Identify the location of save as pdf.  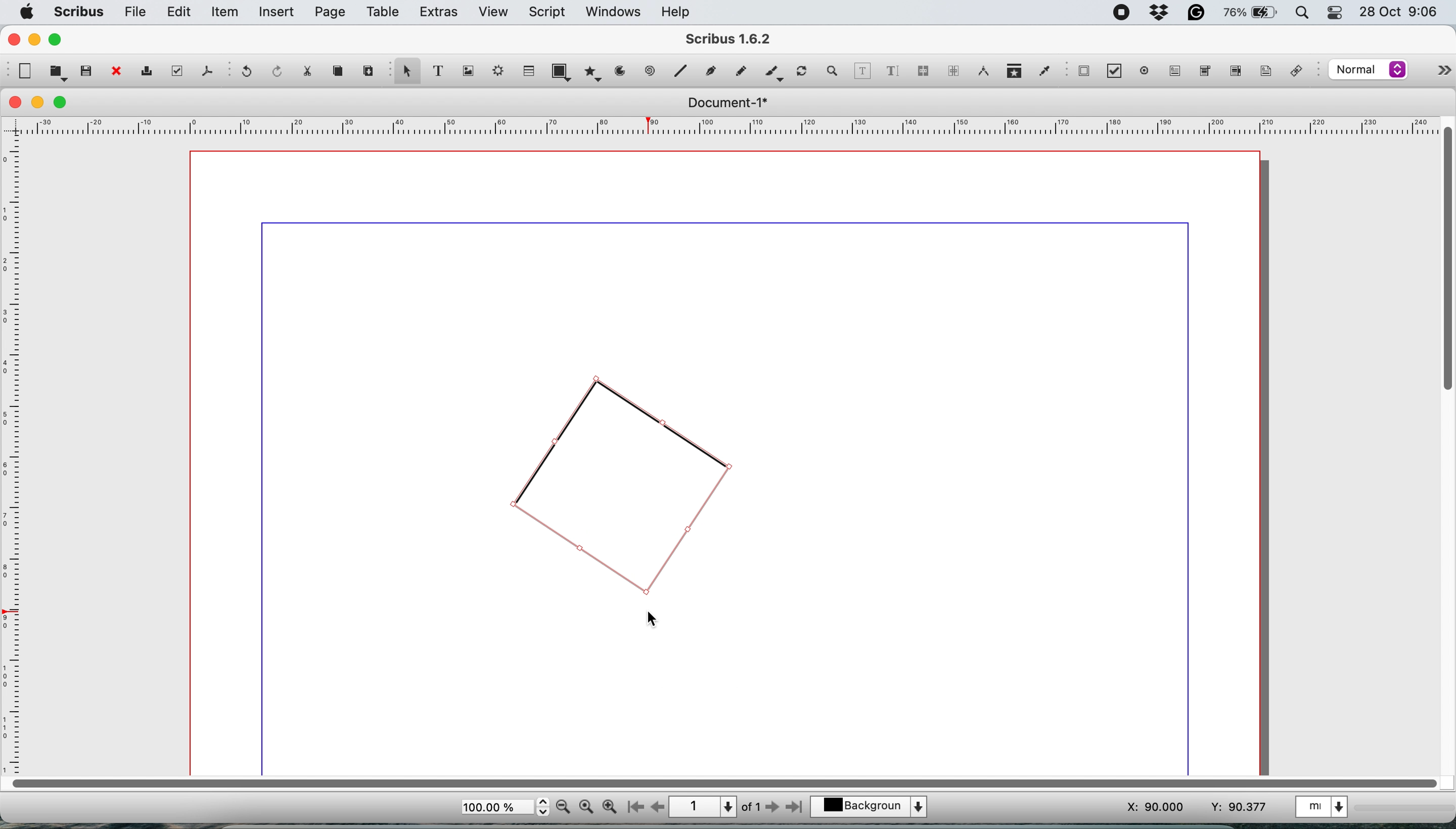
(205, 71).